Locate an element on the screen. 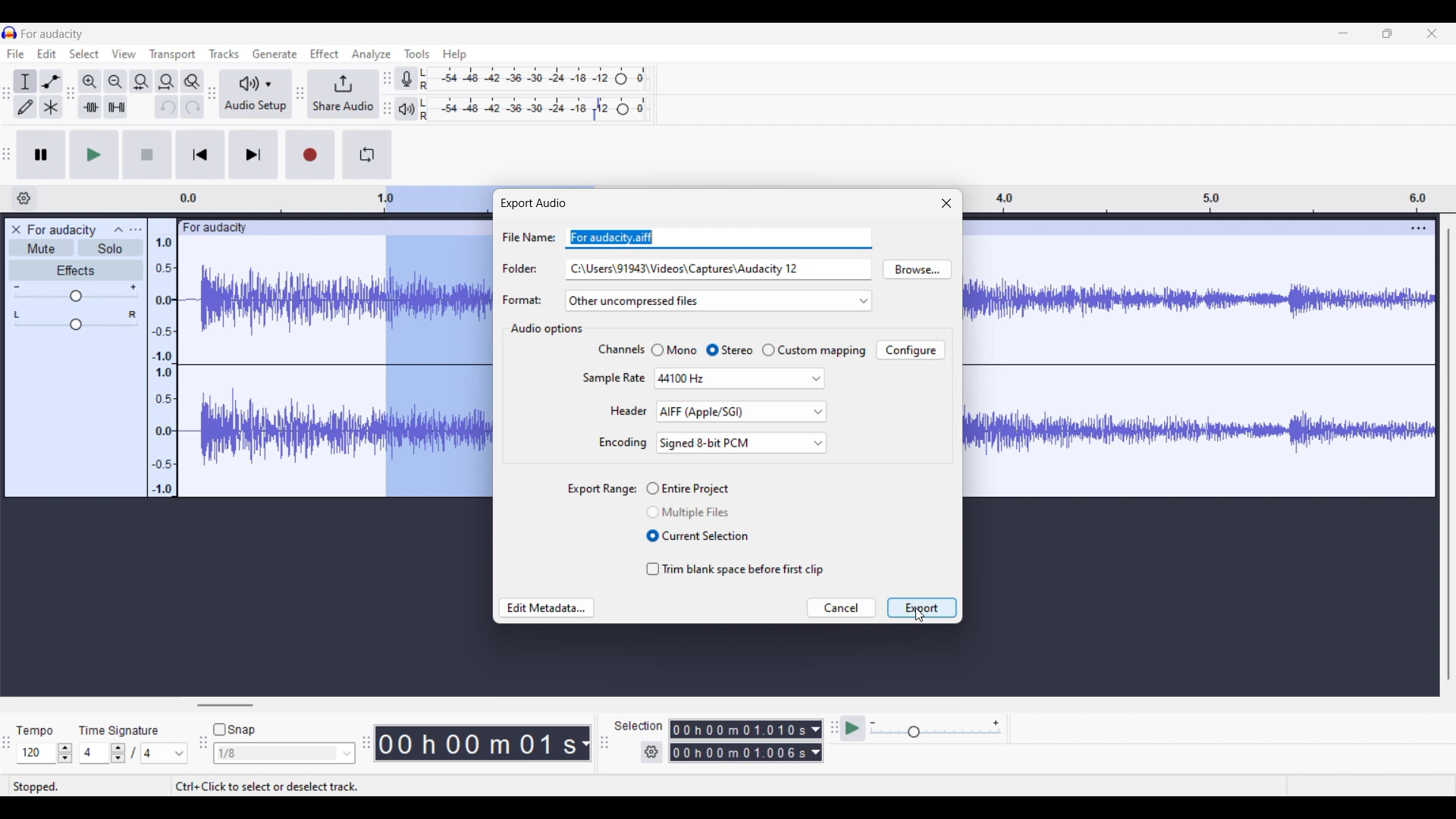 This screenshot has height=819, width=1456. Open menu is located at coordinates (136, 230).